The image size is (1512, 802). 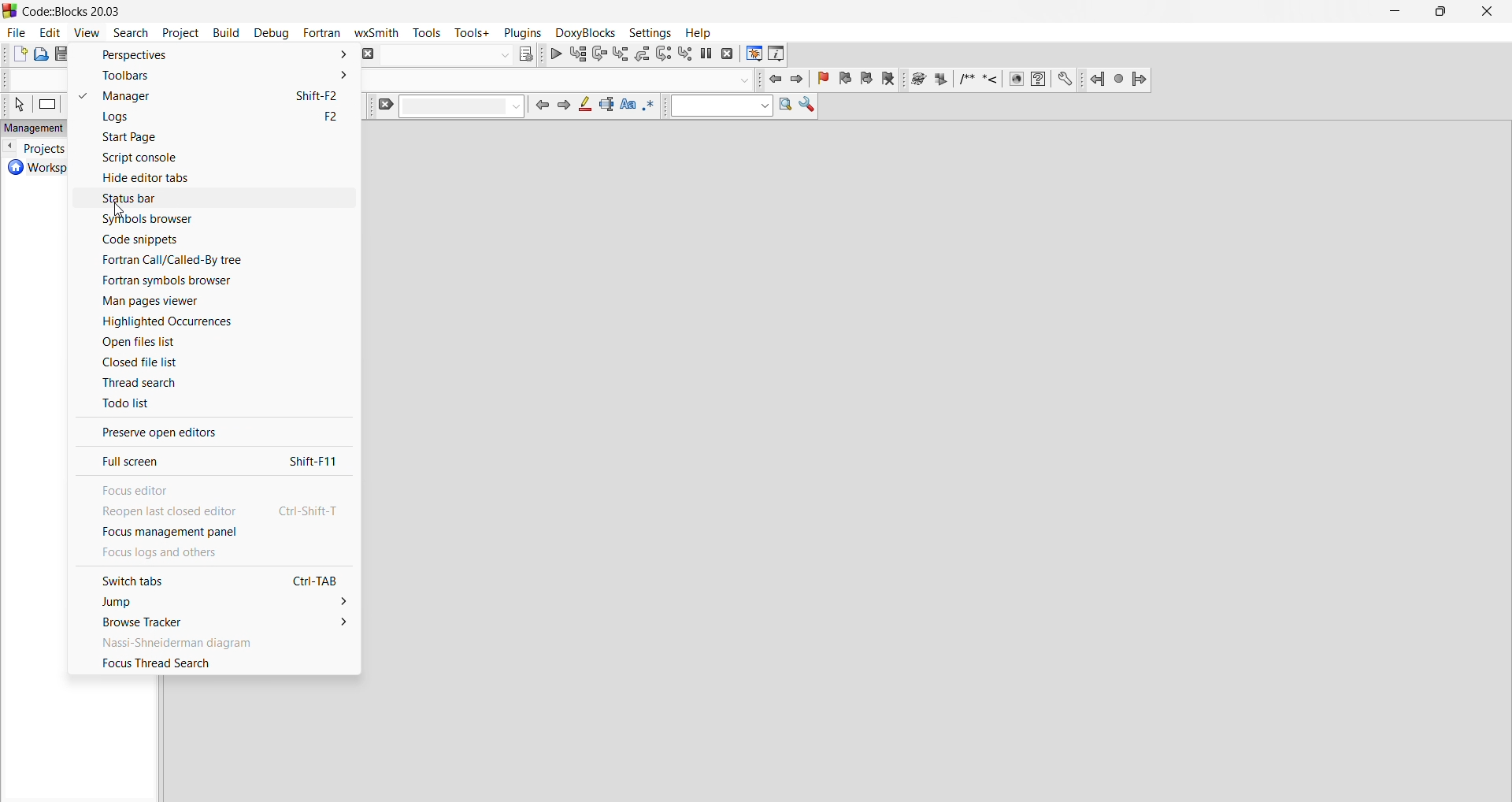 I want to click on thread search, so click(x=213, y=382).